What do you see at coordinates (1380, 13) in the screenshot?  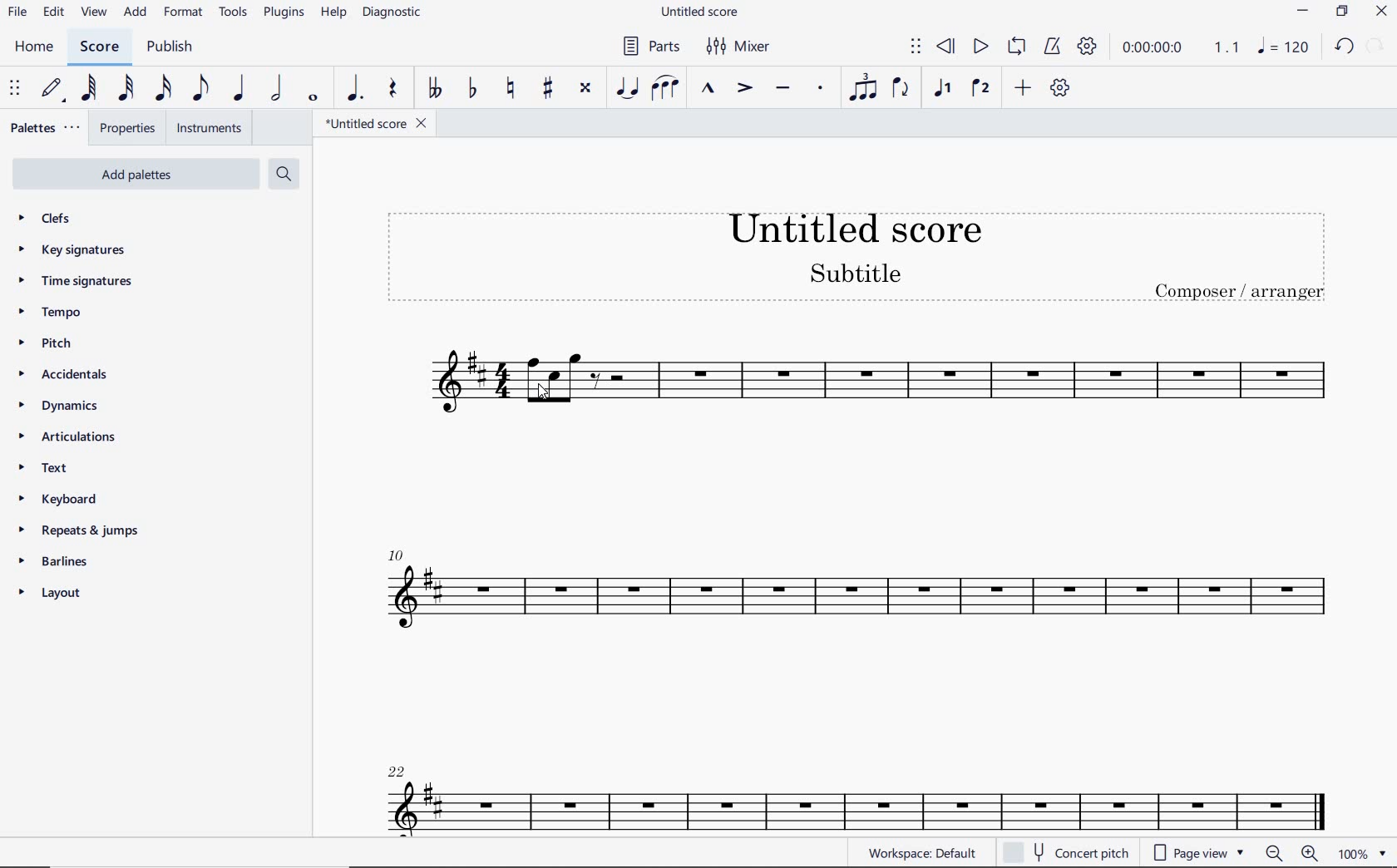 I see `CLOSE` at bounding box center [1380, 13].